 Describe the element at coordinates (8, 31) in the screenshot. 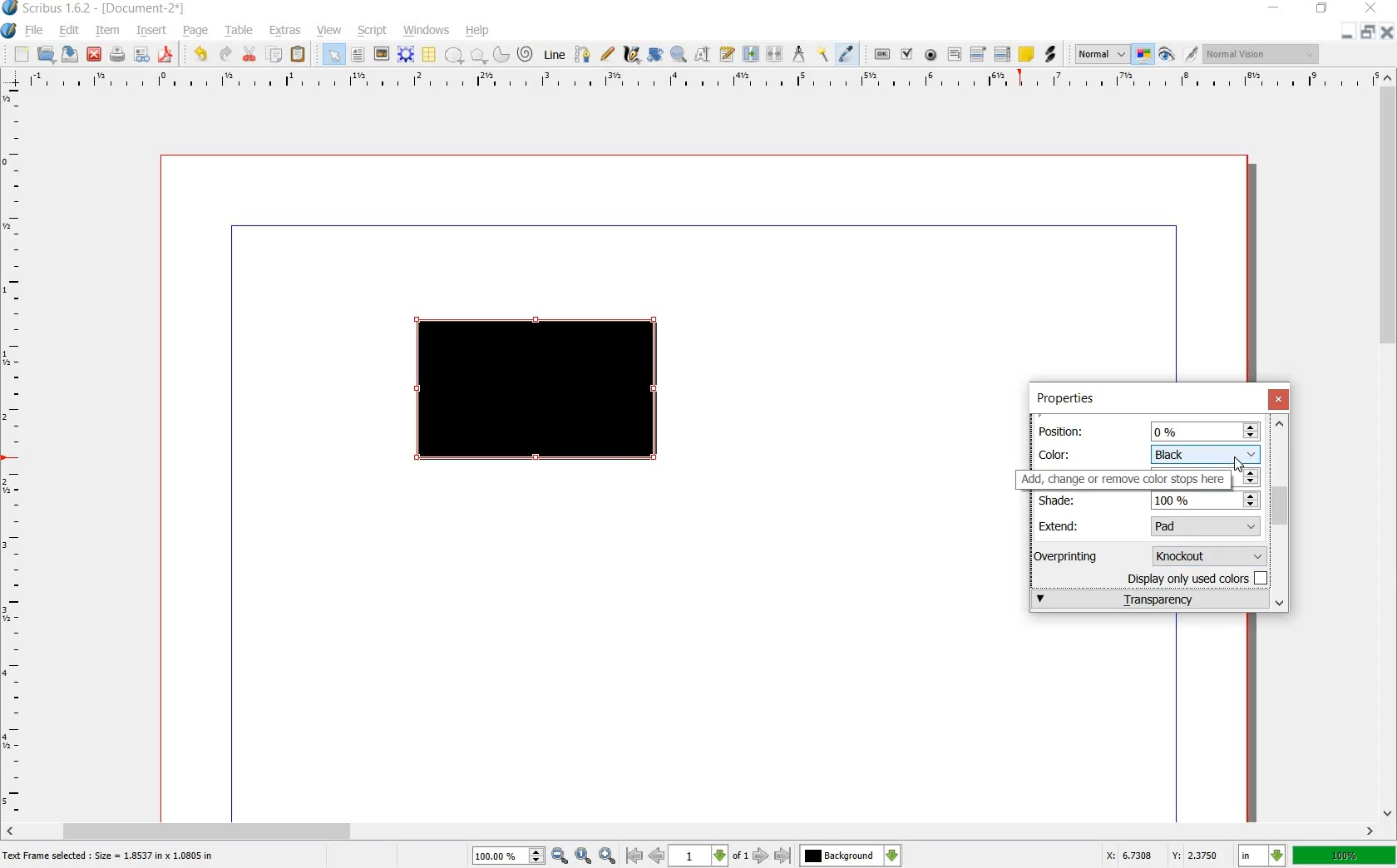

I see `system logo` at that location.